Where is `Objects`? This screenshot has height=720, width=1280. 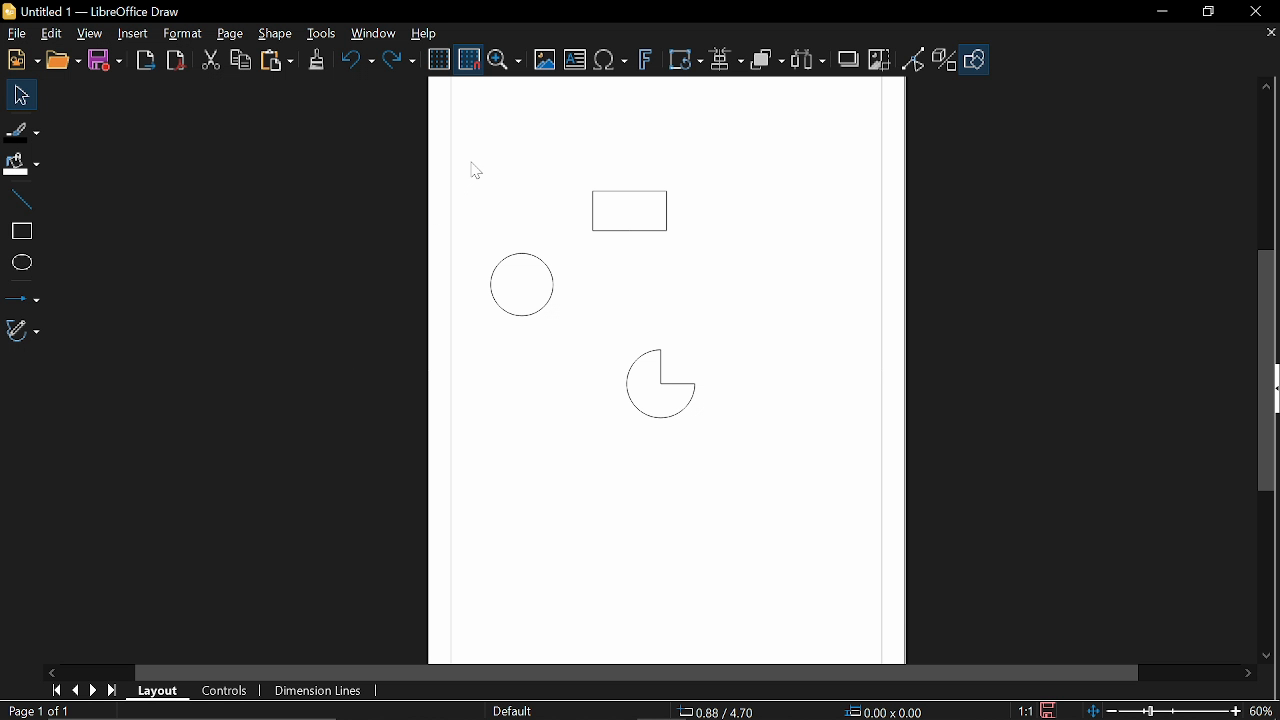 Objects is located at coordinates (766, 61).